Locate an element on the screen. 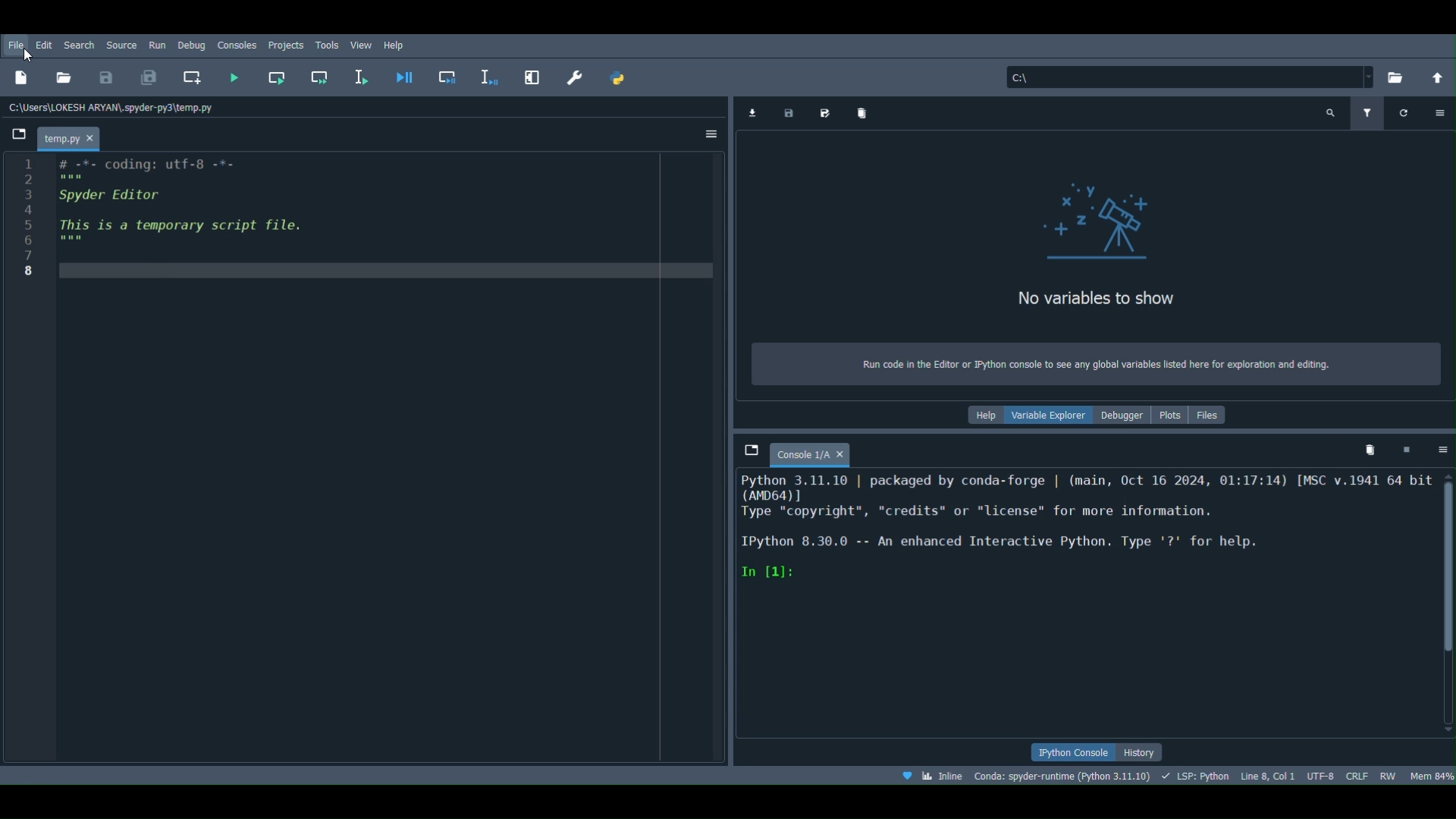 Image resolution: width=1456 pixels, height=819 pixels. Run code in the Editor or Python console to see any global variables listed here for exploration and editing is located at coordinates (1097, 365).